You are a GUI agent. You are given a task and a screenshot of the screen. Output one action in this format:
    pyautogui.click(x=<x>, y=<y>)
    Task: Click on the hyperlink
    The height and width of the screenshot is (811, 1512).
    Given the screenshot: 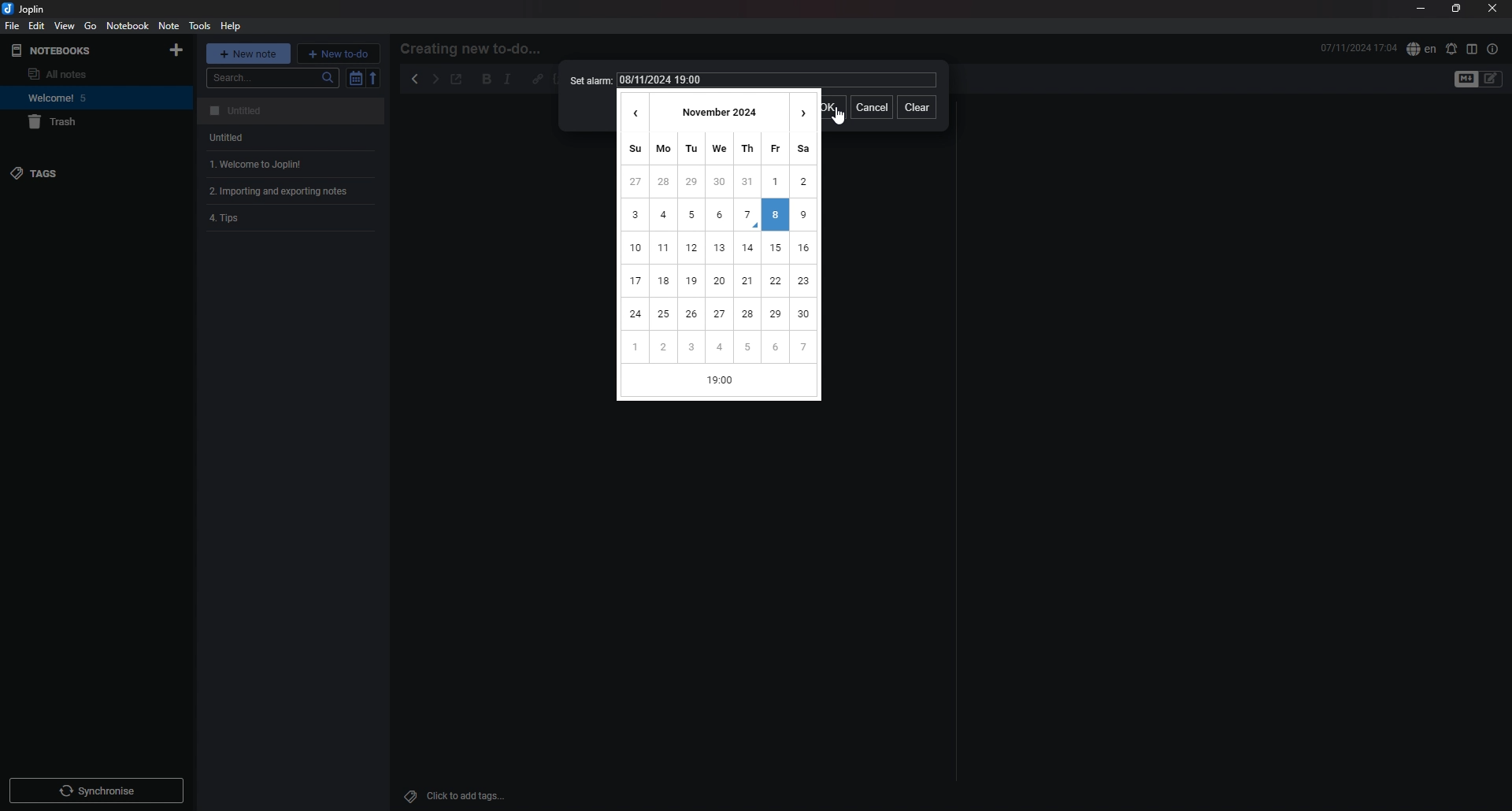 What is the action you would take?
    pyautogui.click(x=539, y=79)
    